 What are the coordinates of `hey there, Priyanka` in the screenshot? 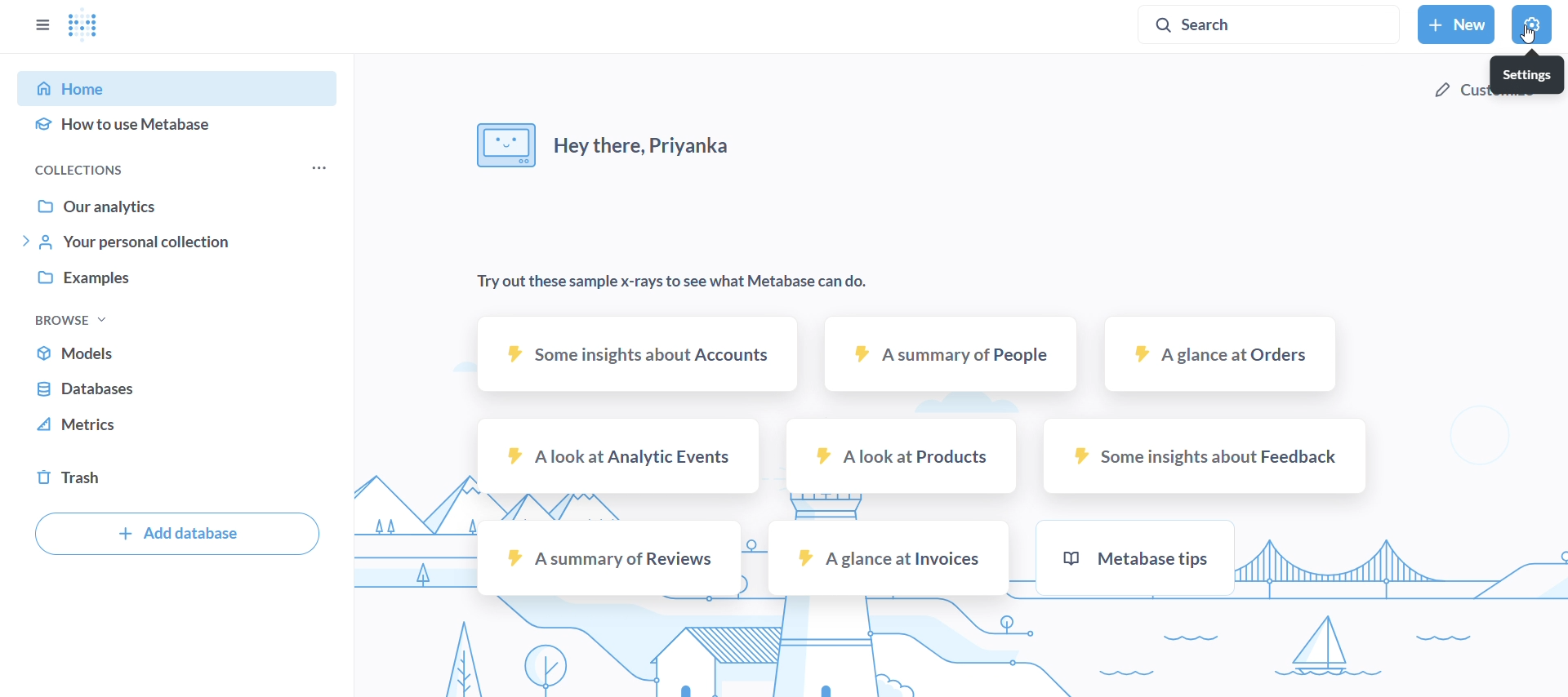 It's located at (610, 150).